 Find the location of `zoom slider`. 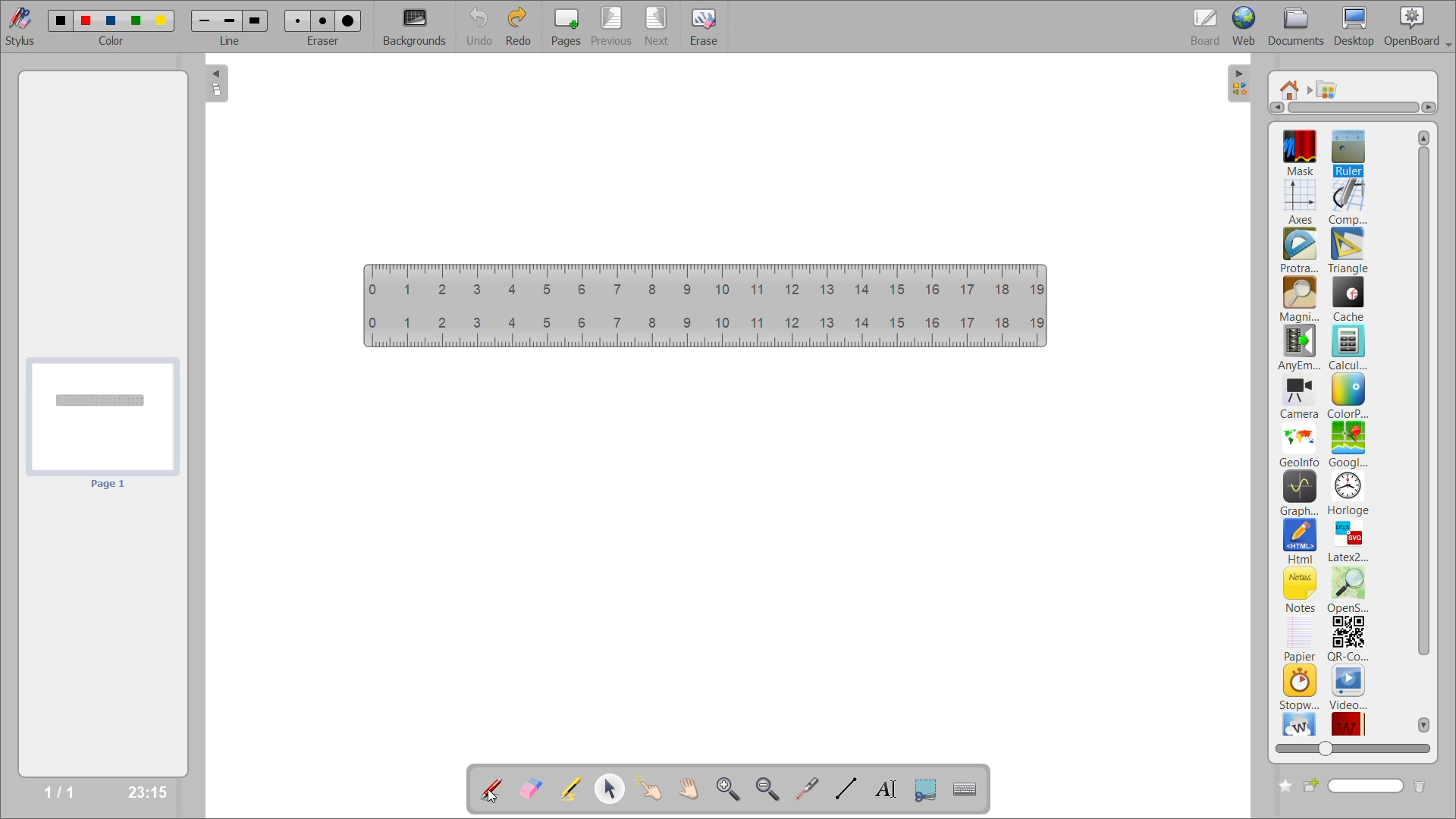

zoom slider is located at coordinates (1350, 746).